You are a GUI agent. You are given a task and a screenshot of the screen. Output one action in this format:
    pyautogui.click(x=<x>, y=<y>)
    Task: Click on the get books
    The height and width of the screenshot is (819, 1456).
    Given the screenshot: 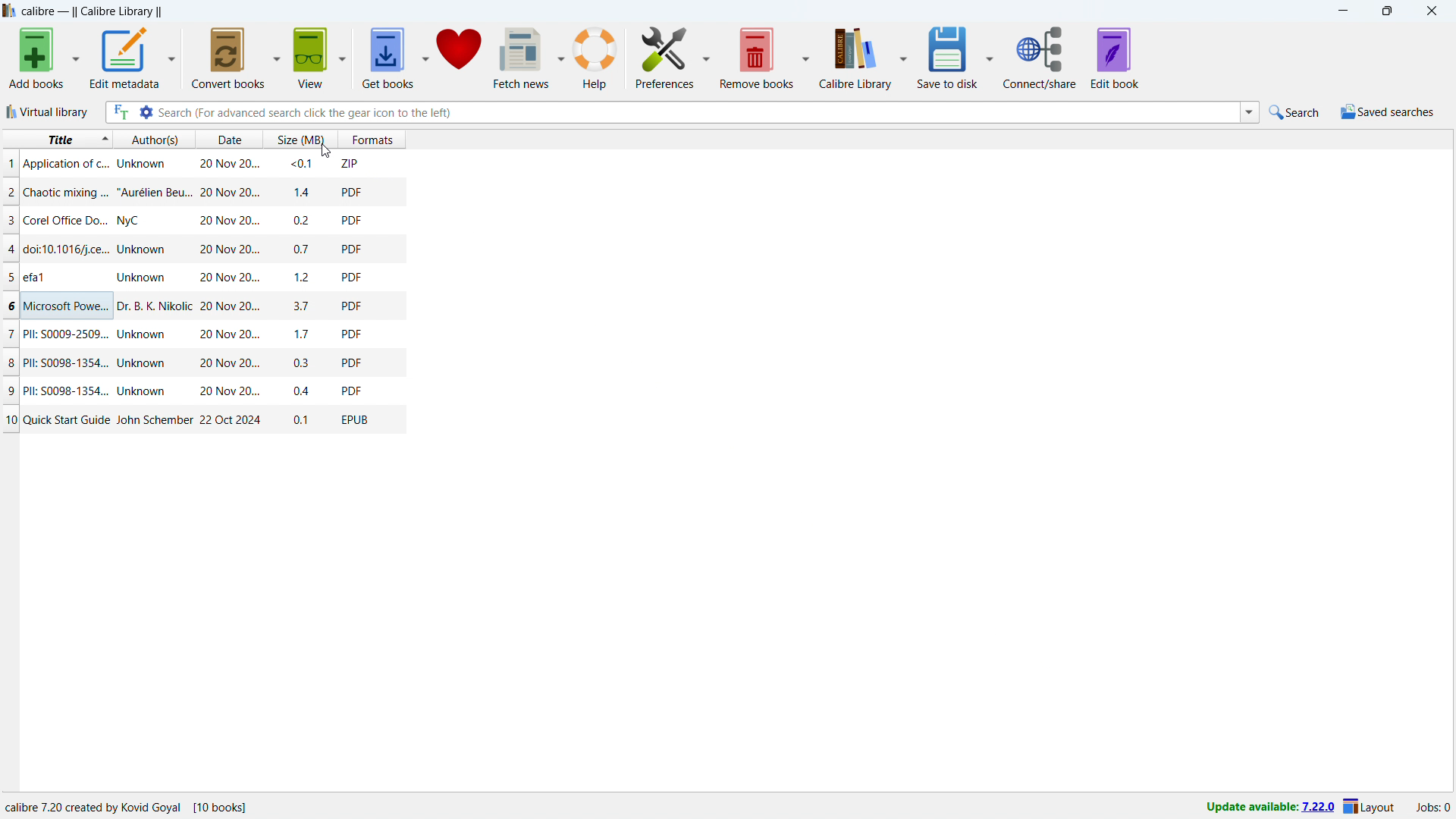 What is the action you would take?
    pyautogui.click(x=388, y=57)
    